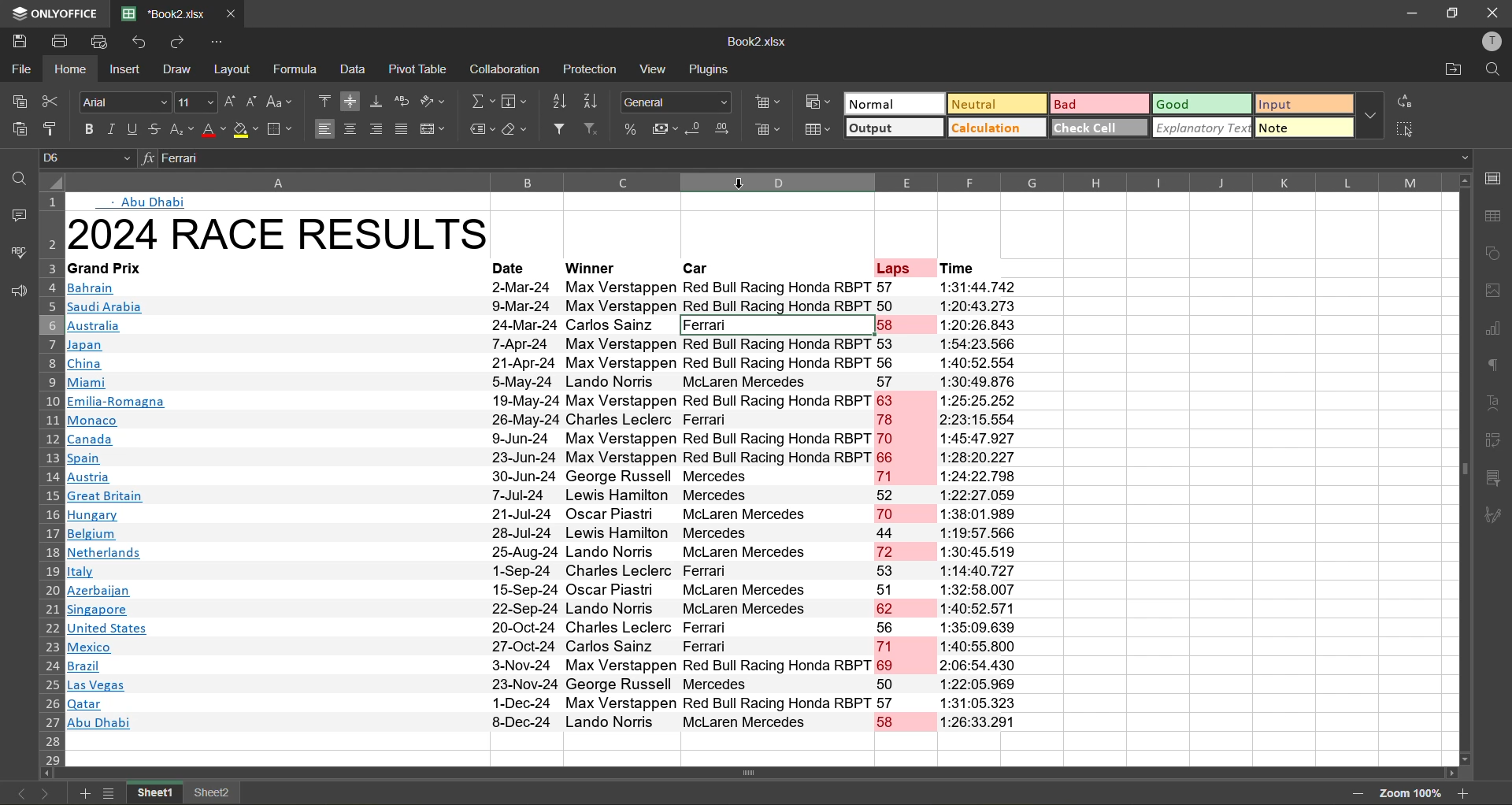  Describe the element at coordinates (756, 41) in the screenshot. I see `Book2.xlsx` at that location.